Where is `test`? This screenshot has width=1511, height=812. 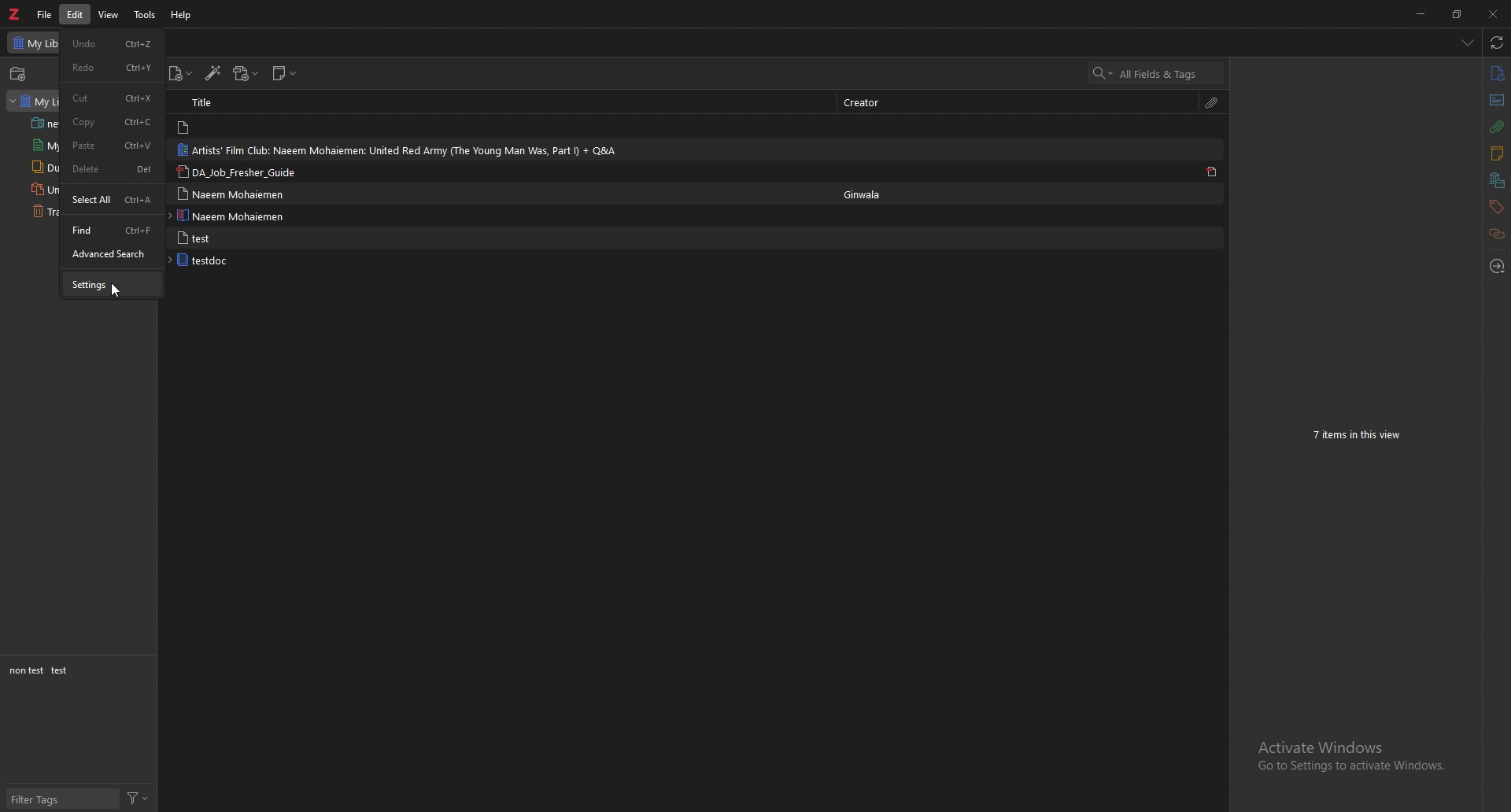 test is located at coordinates (61, 670).